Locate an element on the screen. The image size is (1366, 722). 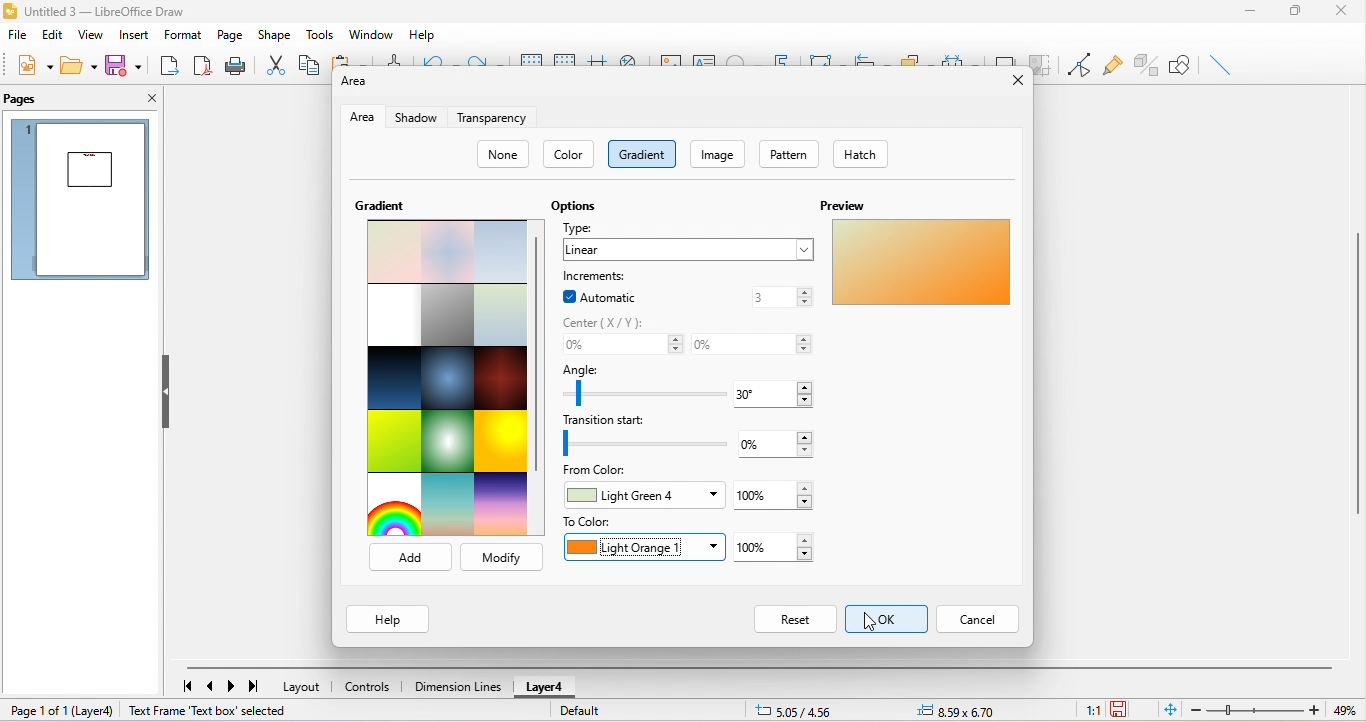
tools is located at coordinates (323, 36).